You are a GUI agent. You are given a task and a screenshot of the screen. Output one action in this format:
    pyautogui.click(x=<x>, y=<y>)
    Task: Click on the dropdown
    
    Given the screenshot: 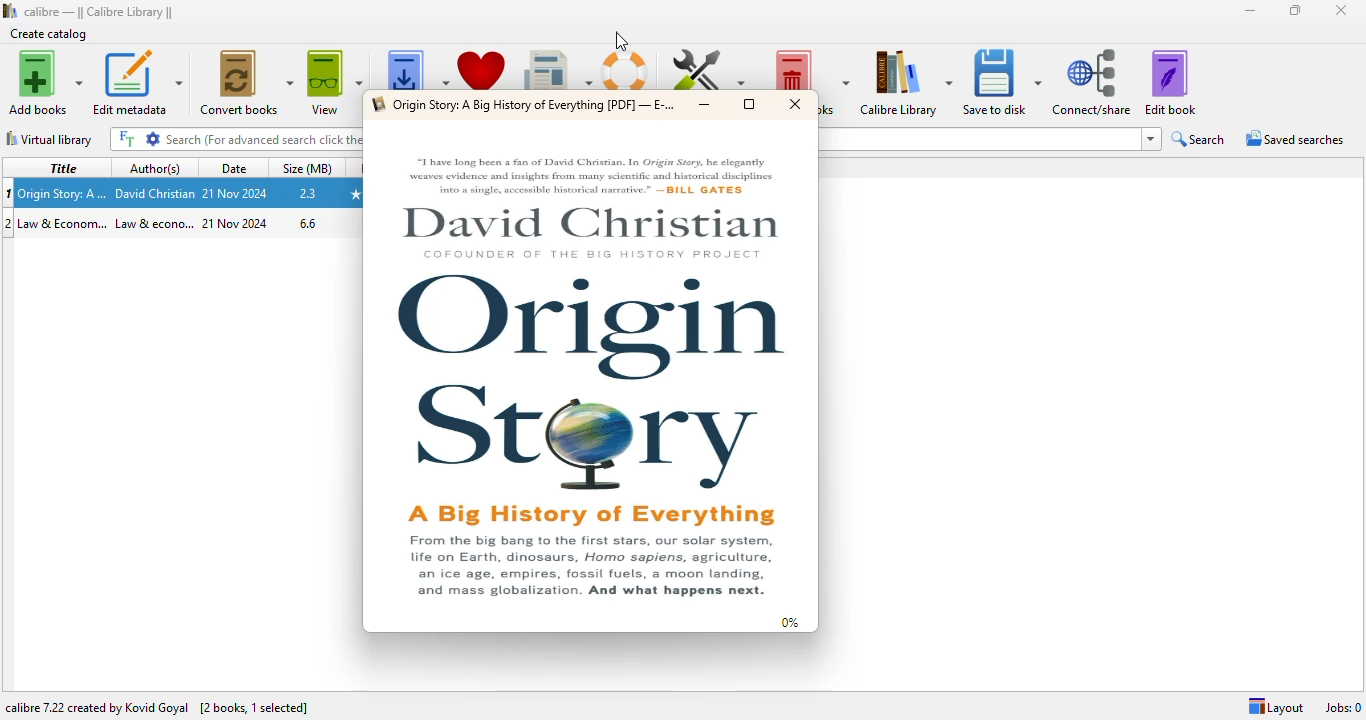 What is the action you would take?
    pyautogui.click(x=1151, y=139)
    